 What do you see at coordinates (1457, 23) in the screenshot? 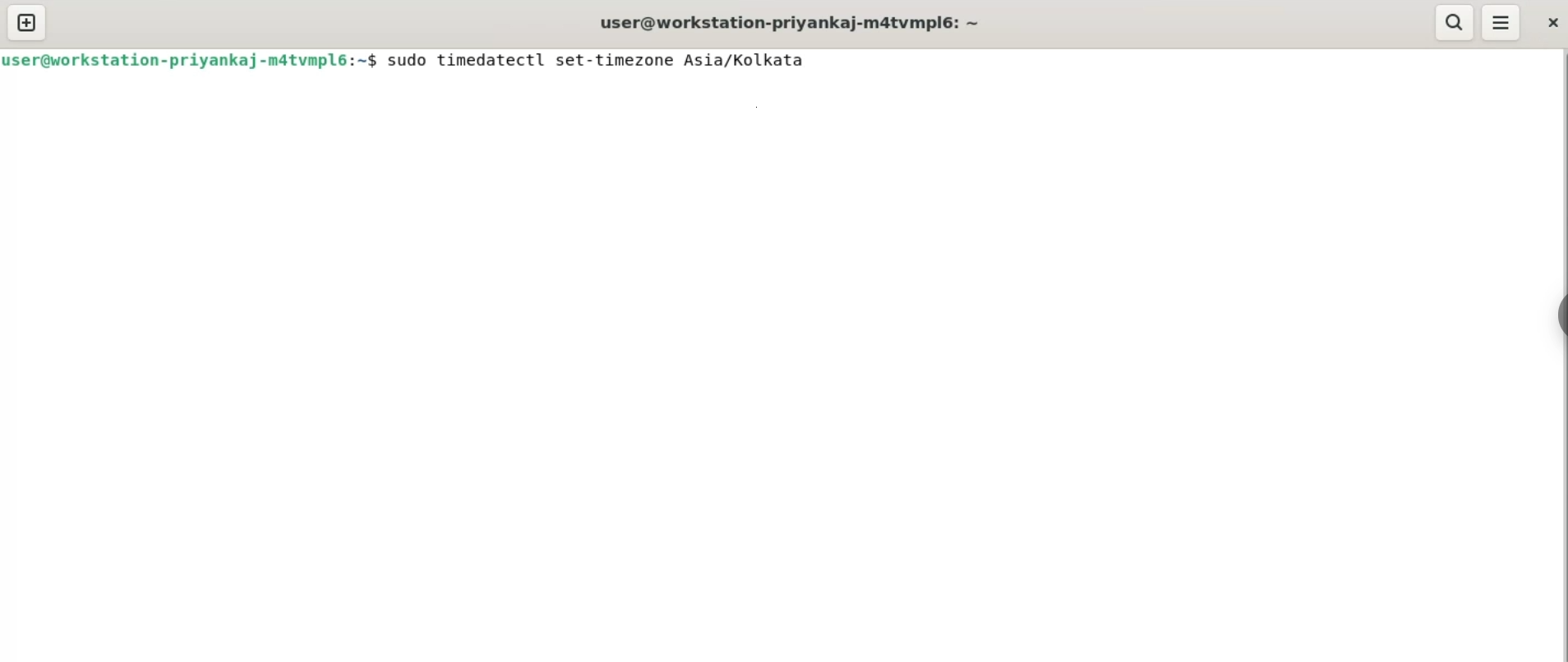
I see `search` at bounding box center [1457, 23].